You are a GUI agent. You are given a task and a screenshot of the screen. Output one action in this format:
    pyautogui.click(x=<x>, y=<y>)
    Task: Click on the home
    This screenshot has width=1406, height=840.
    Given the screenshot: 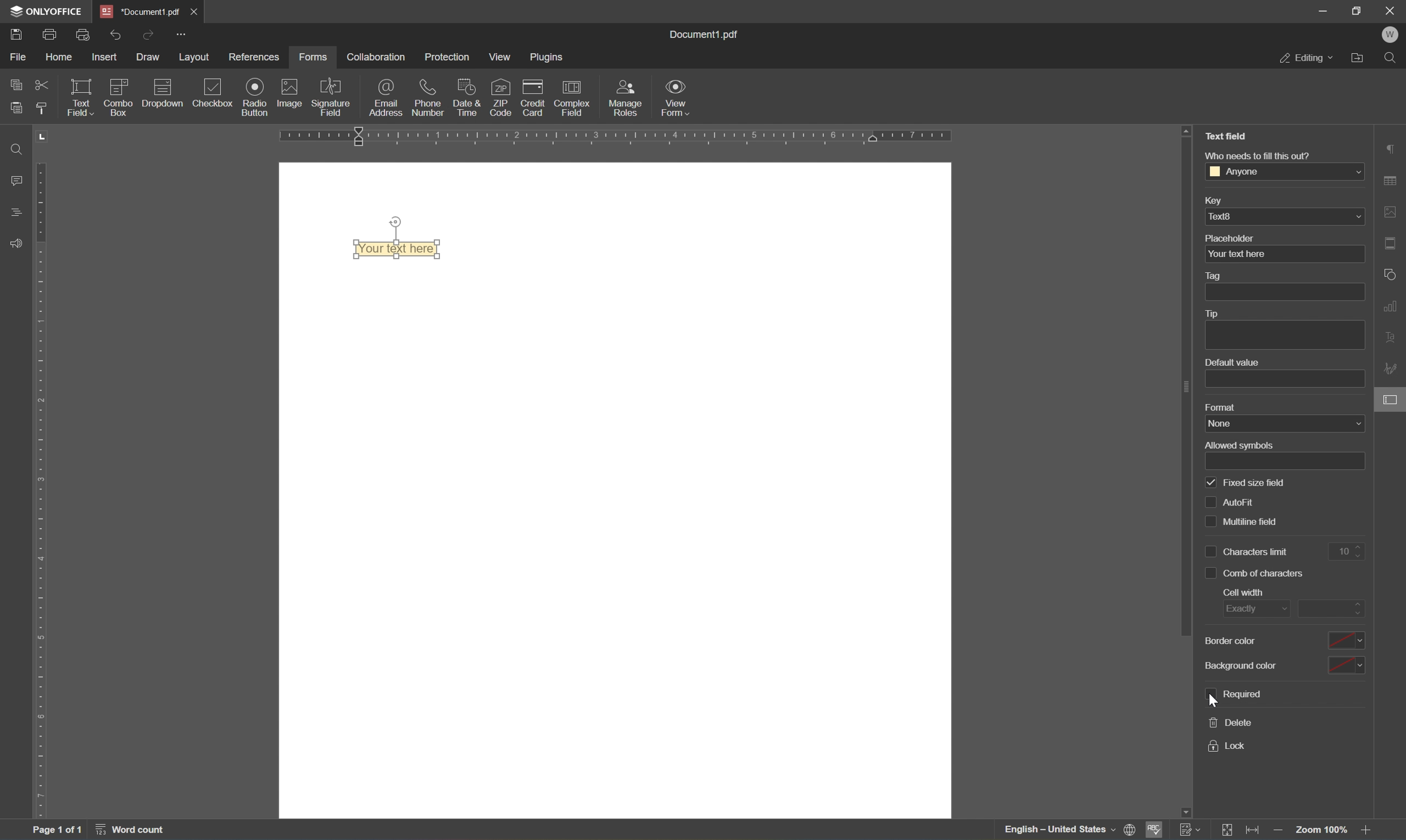 What is the action you would take?
    pyautogui.click(x=60, y=57)
    